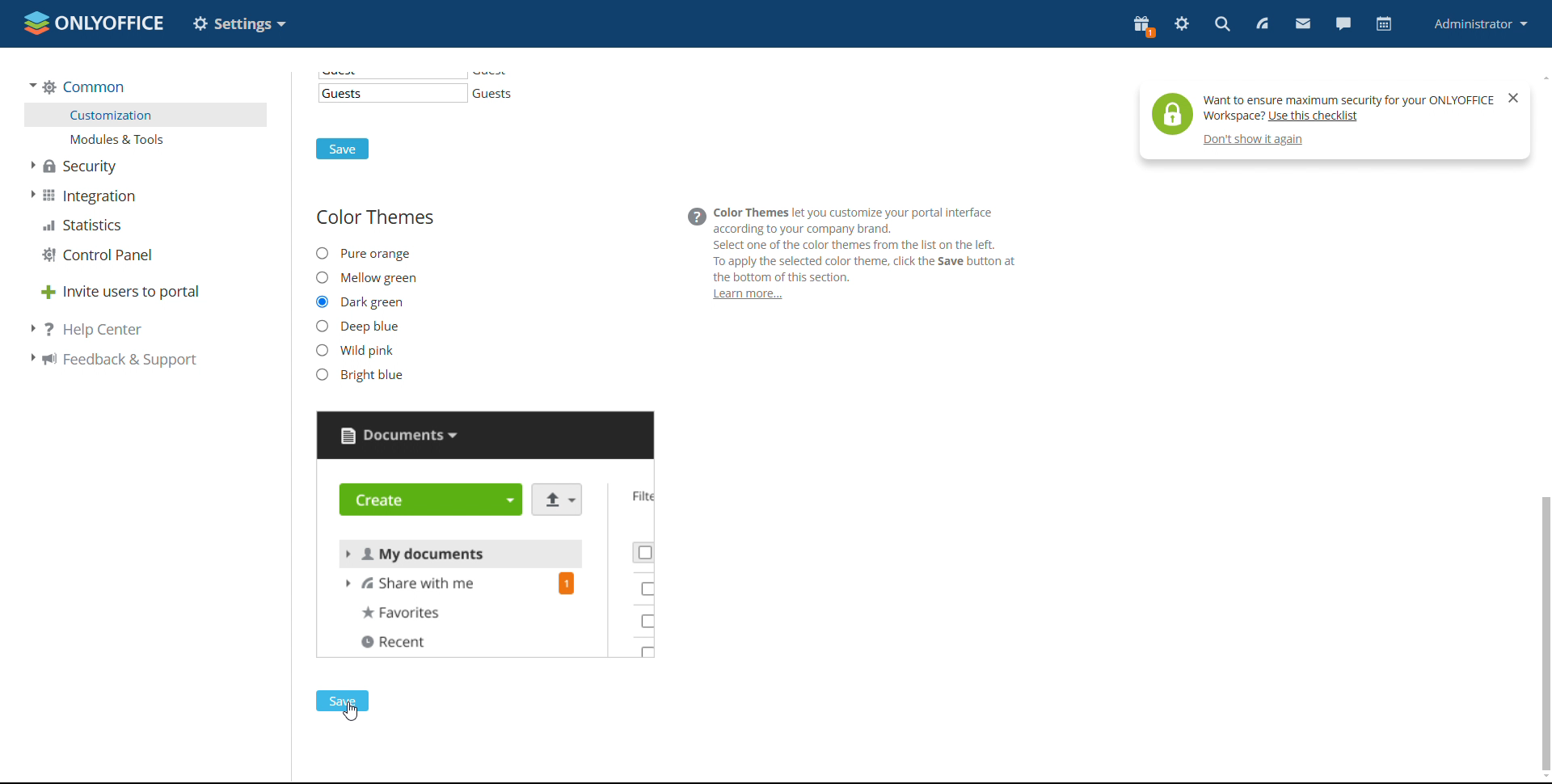 The image size is (1552, 784). Describe the element at coordinates (84, 226) in the screenshot. I see `statistica` at that location.